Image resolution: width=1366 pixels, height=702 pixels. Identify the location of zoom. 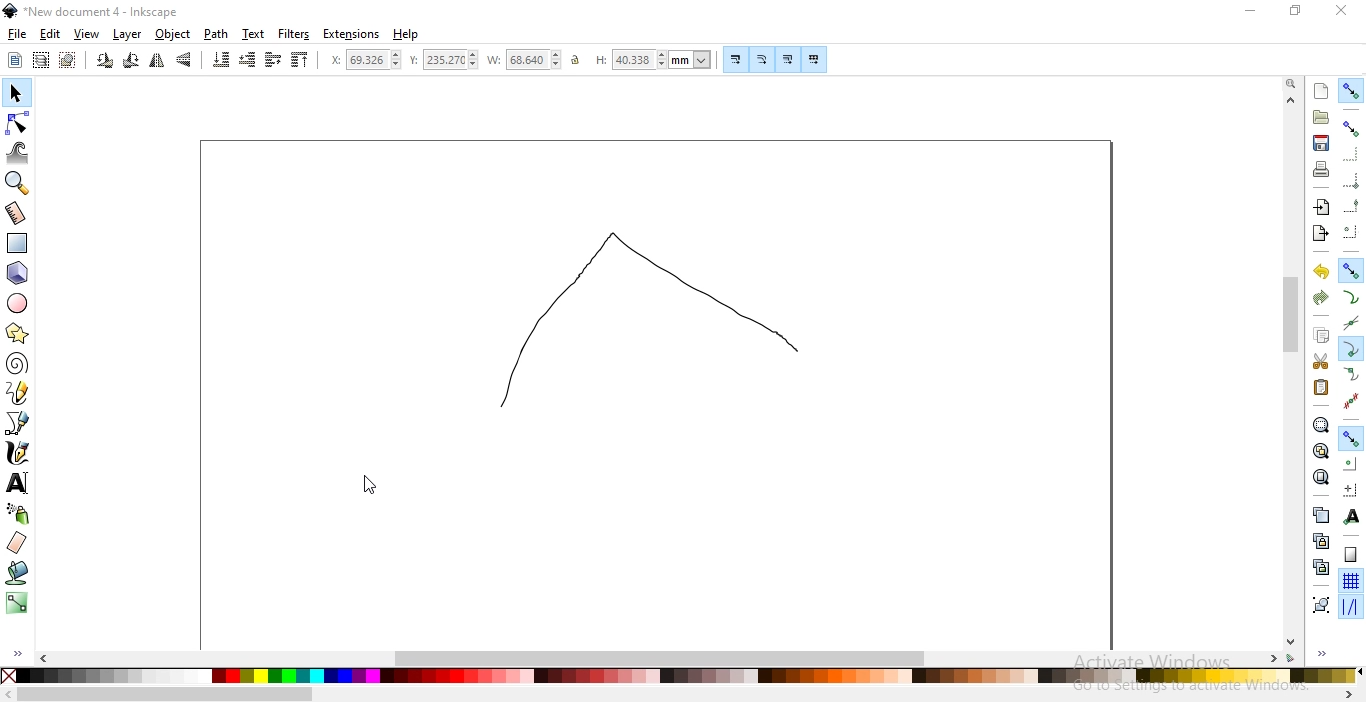
(1293, 82).